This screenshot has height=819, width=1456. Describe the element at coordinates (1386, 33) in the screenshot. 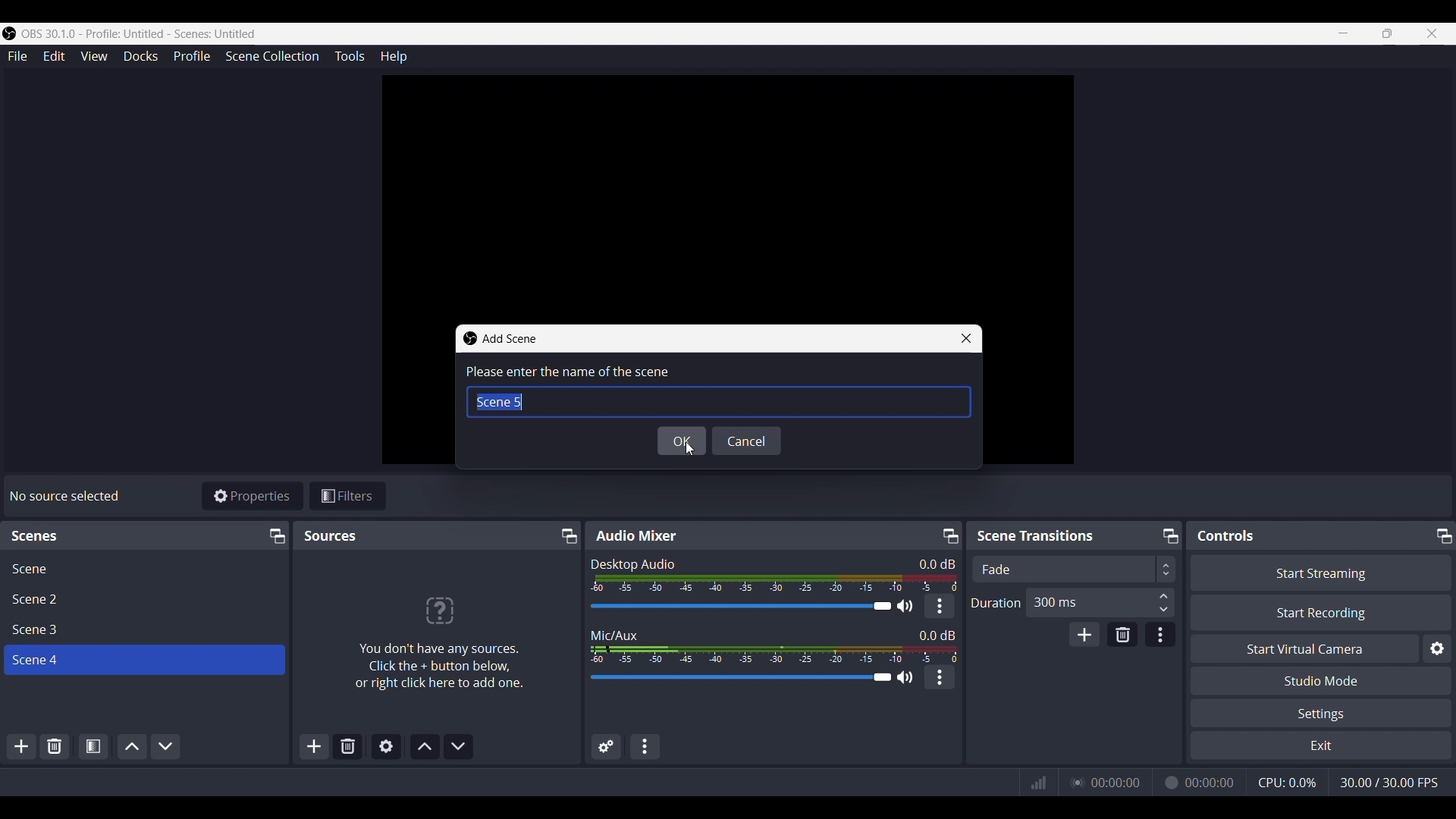

I see `Maximize` at that location.